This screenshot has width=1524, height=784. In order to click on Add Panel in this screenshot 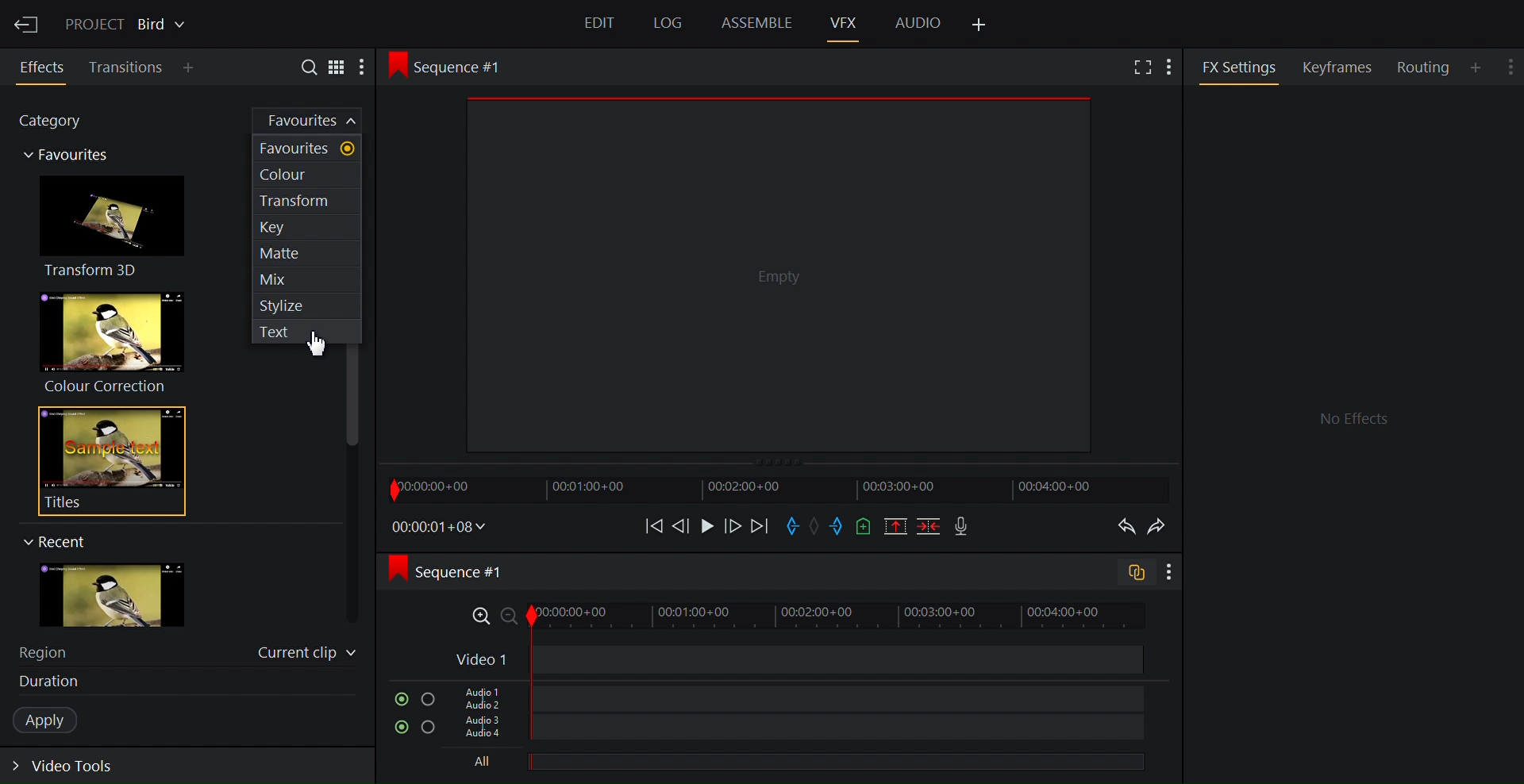, I will do `click(1173, 65)`.